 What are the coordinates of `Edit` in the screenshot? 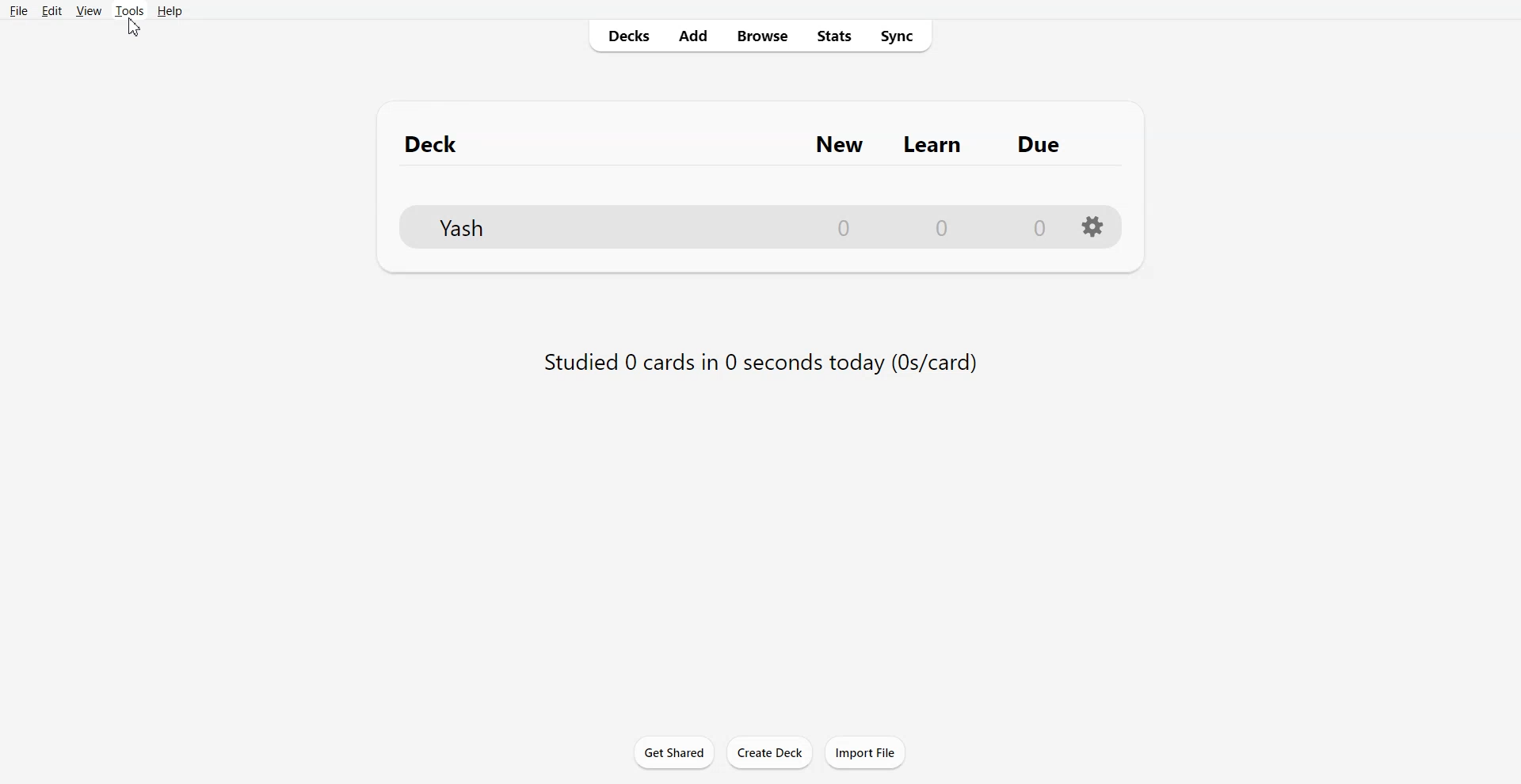 It's located at (51, 10).